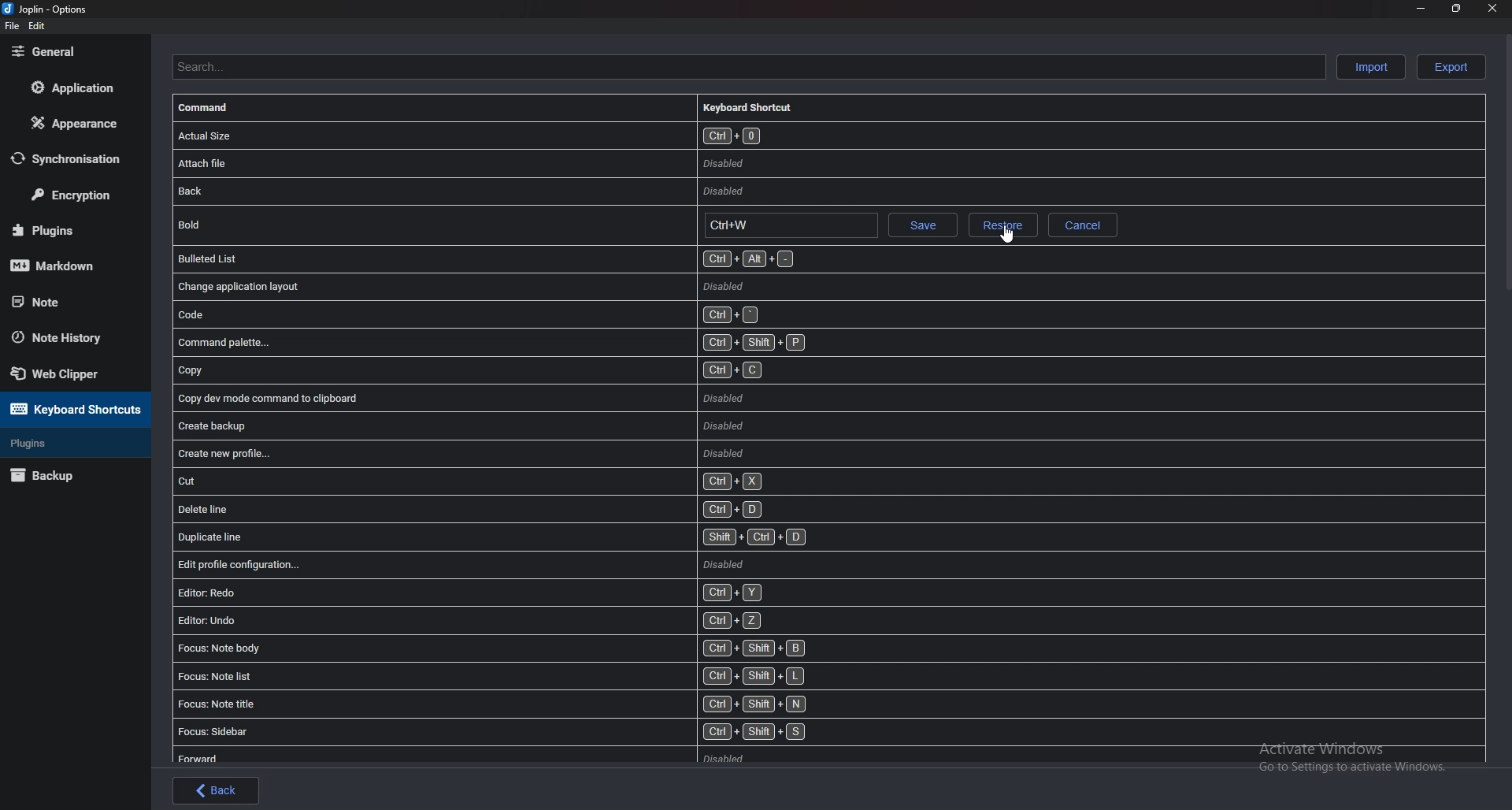 The height and width of the screenshot is (810, 1512). I want to click on Import, so click(1370, 66).